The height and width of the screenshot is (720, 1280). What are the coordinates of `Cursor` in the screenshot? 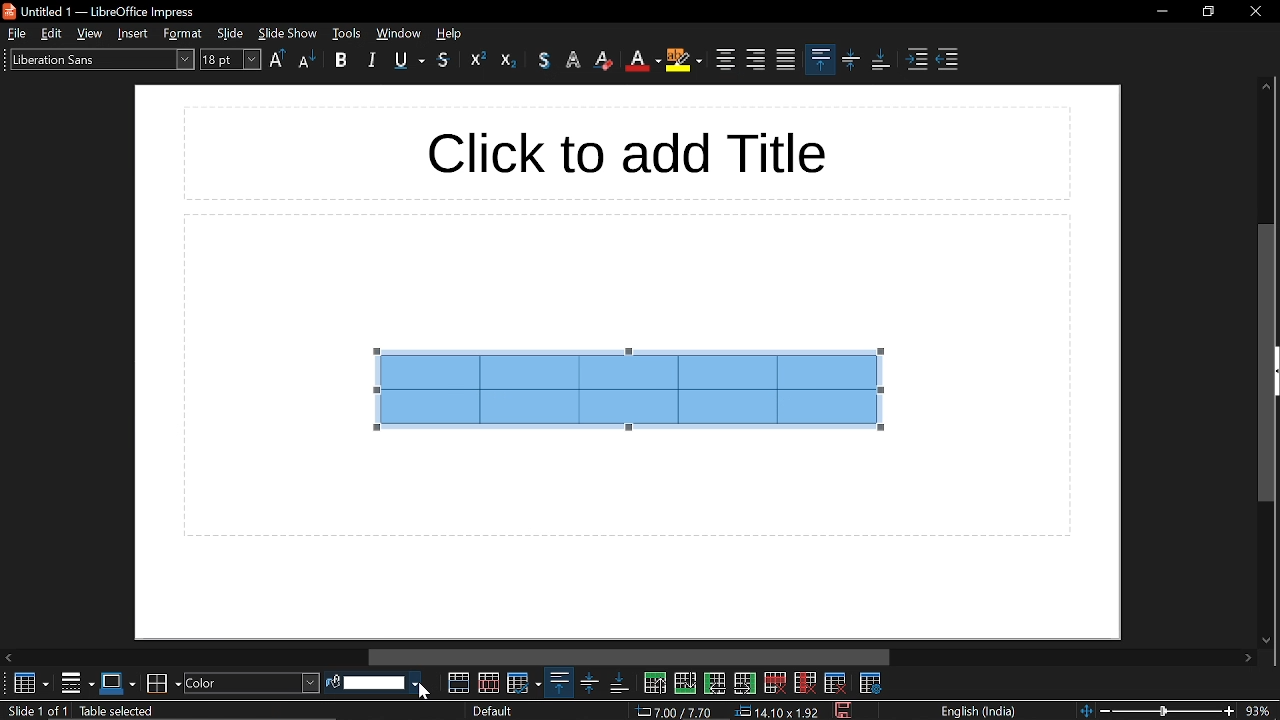 It's located at (422, 692).